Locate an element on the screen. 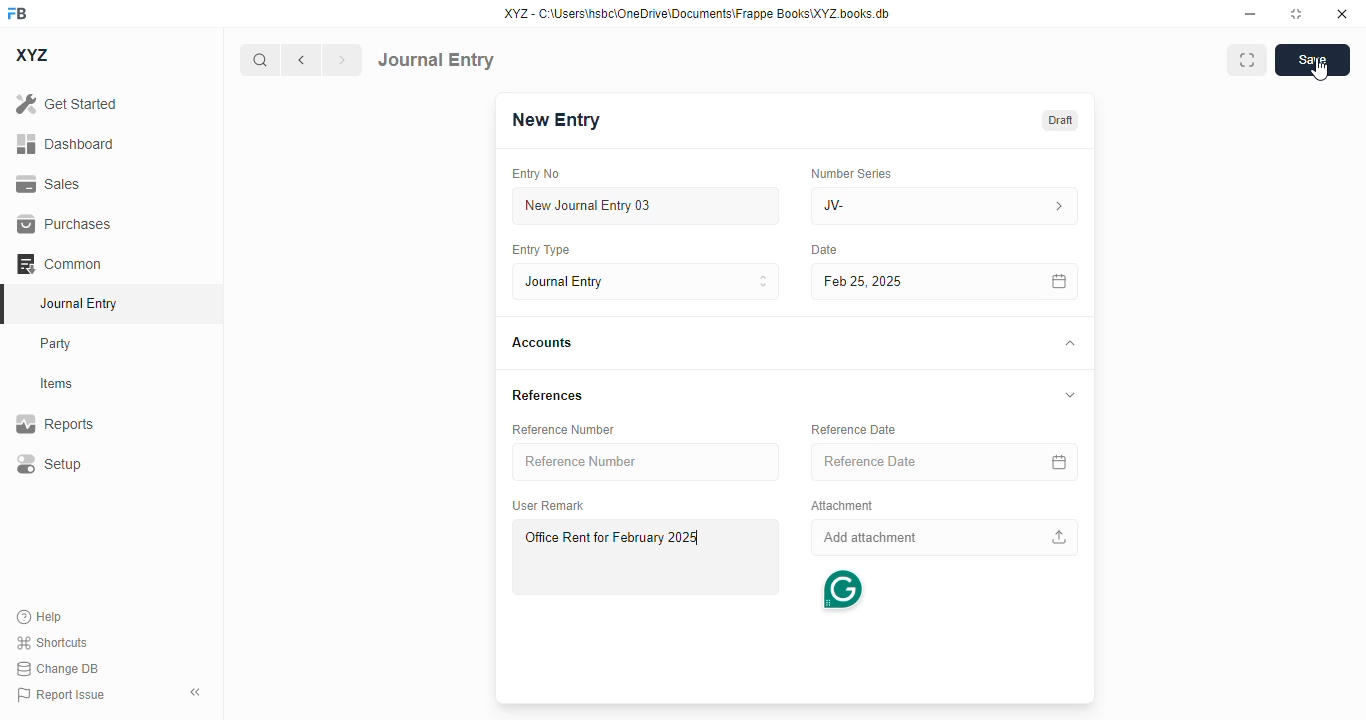 Image resolution: width=1366 pixels, height=720 pixels. date is located at coordinates (821, 250).